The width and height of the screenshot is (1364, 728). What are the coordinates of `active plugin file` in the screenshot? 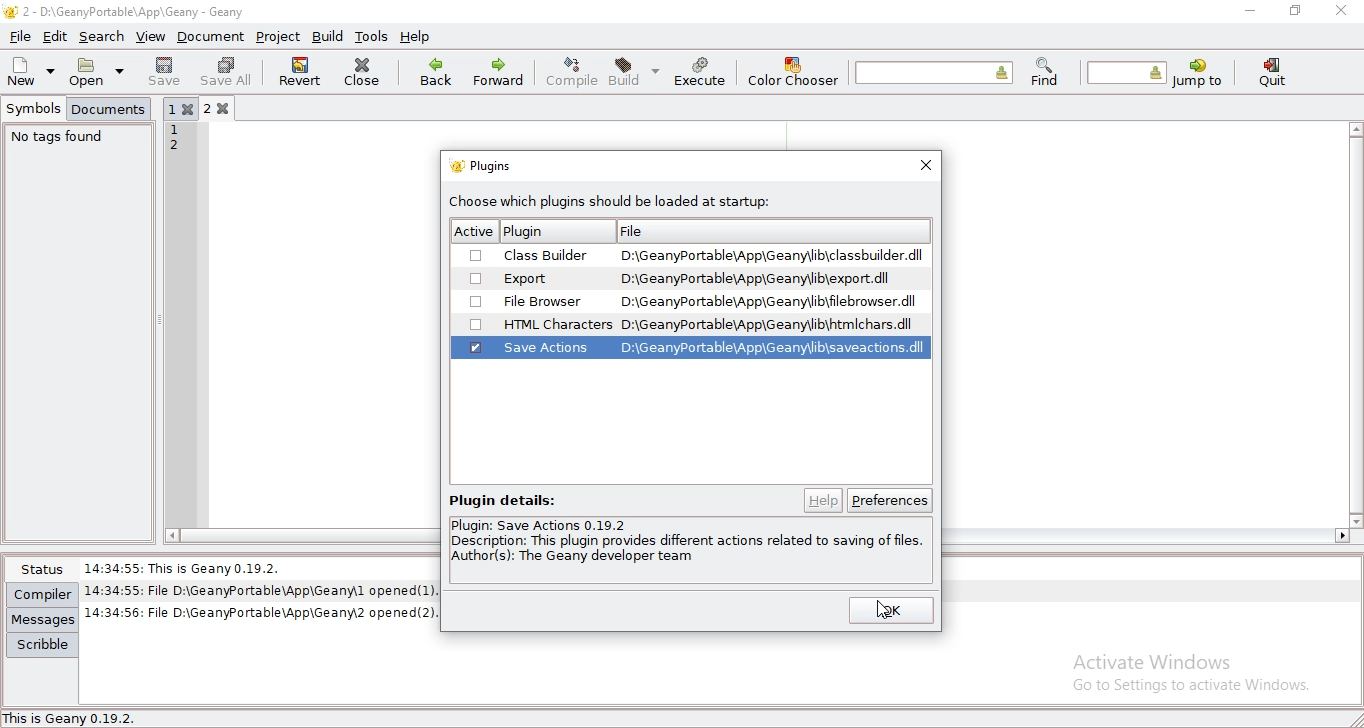 It's located at (553, 231).